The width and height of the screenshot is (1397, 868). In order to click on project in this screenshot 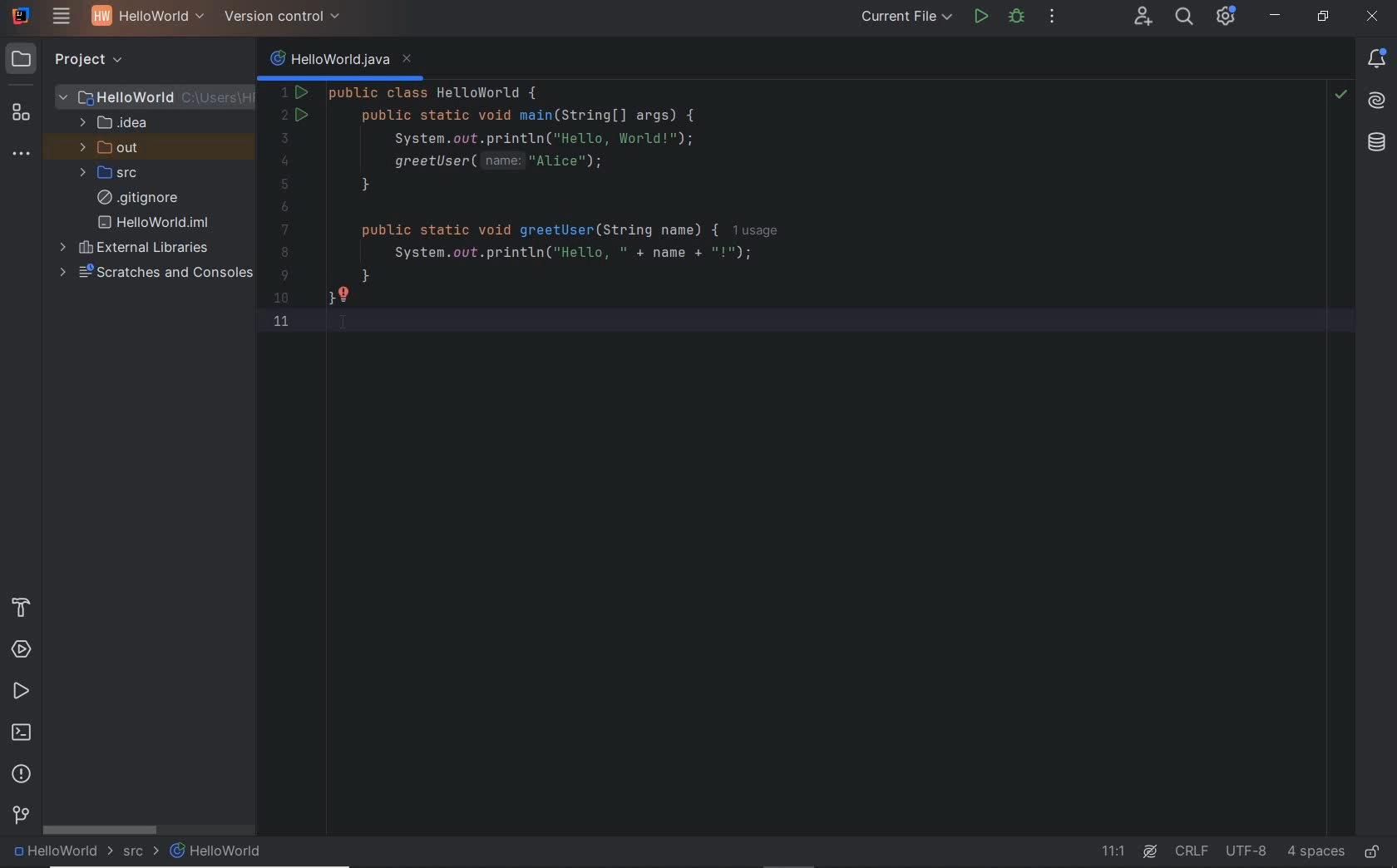, I will do `click(79, 61)`.